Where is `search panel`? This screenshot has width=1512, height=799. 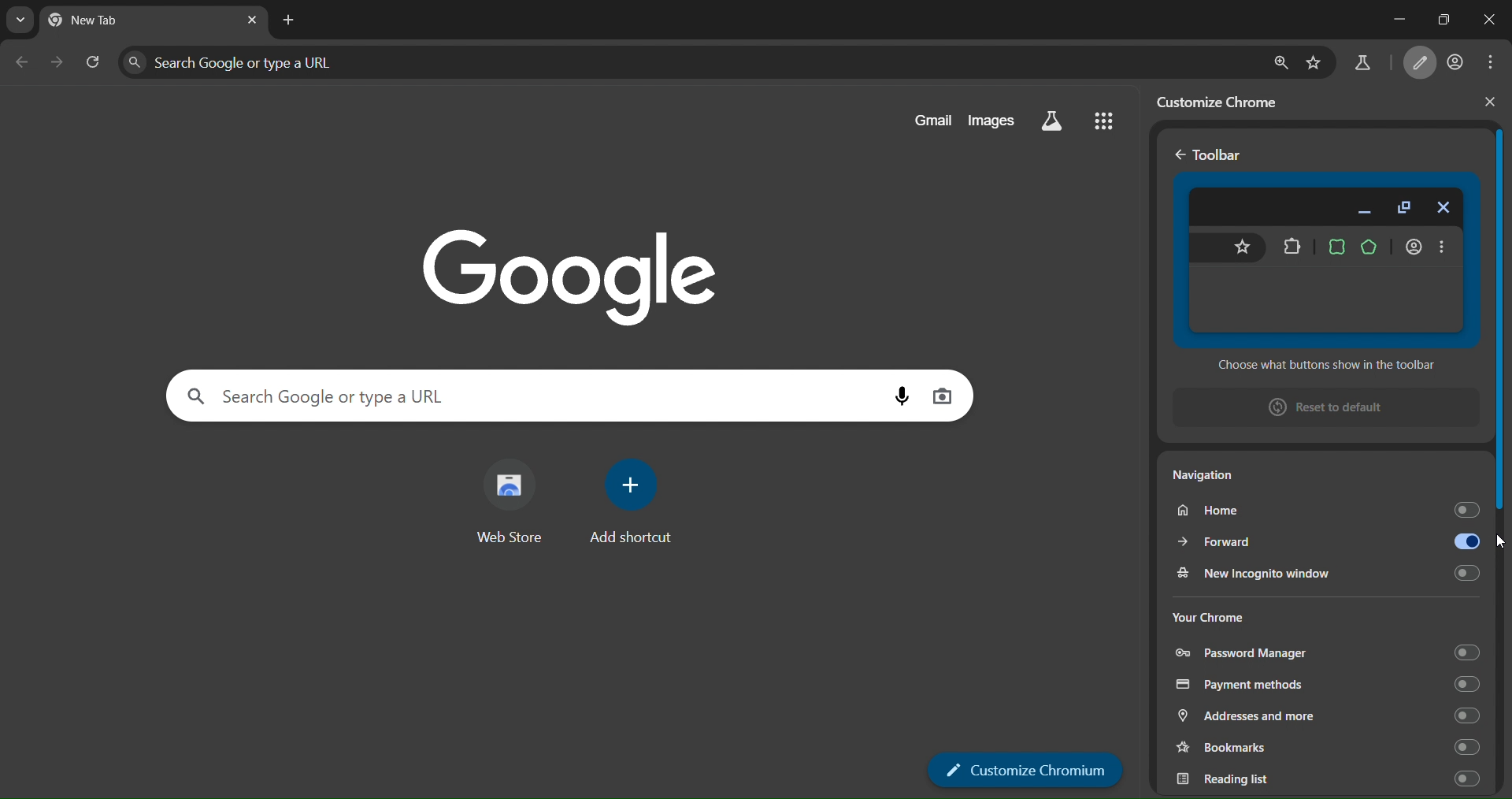
search panel is located at coordinates (688, 61).